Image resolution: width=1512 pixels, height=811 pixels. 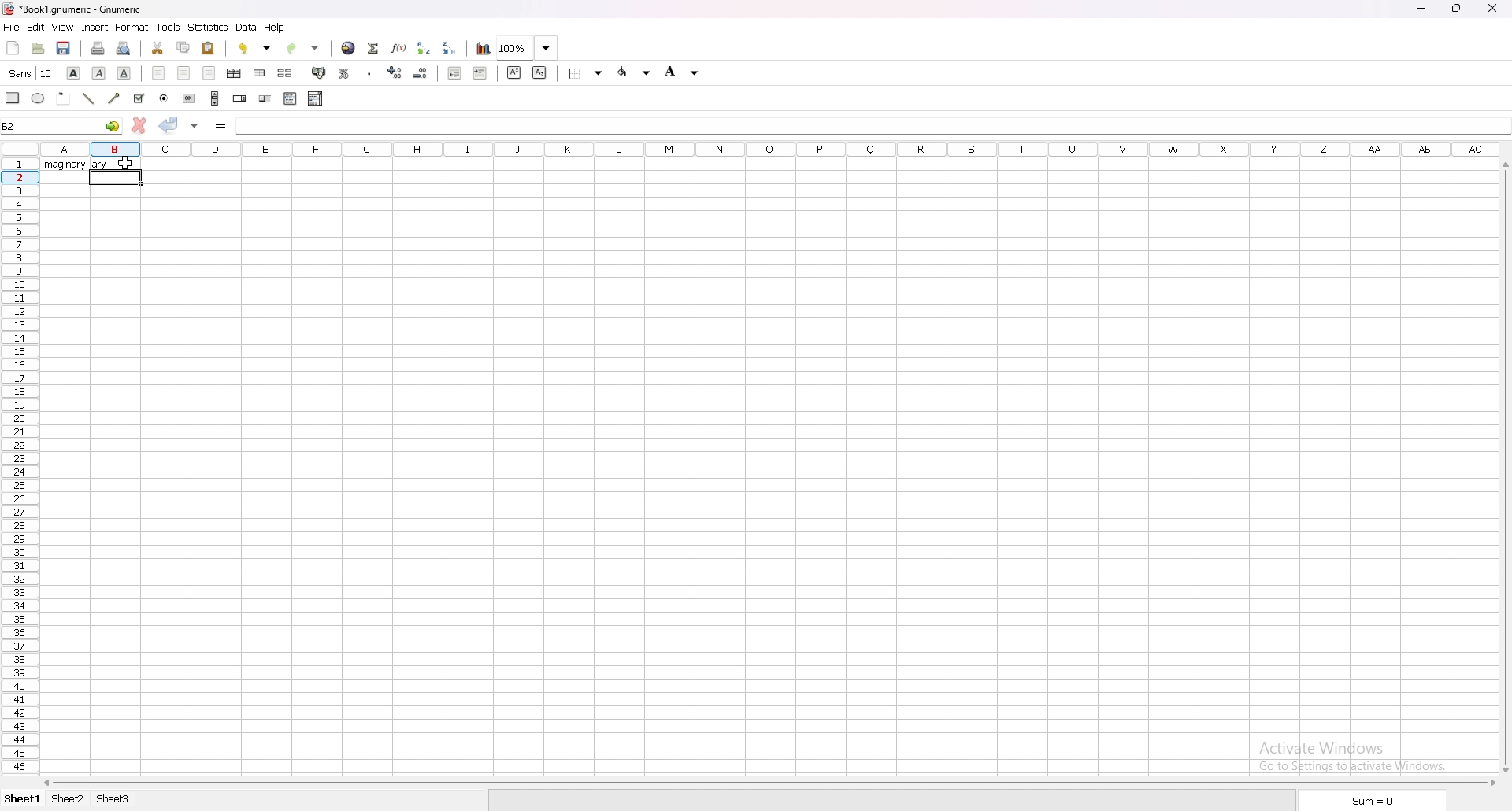 I want to click on close, so click(x=1492, y=7).